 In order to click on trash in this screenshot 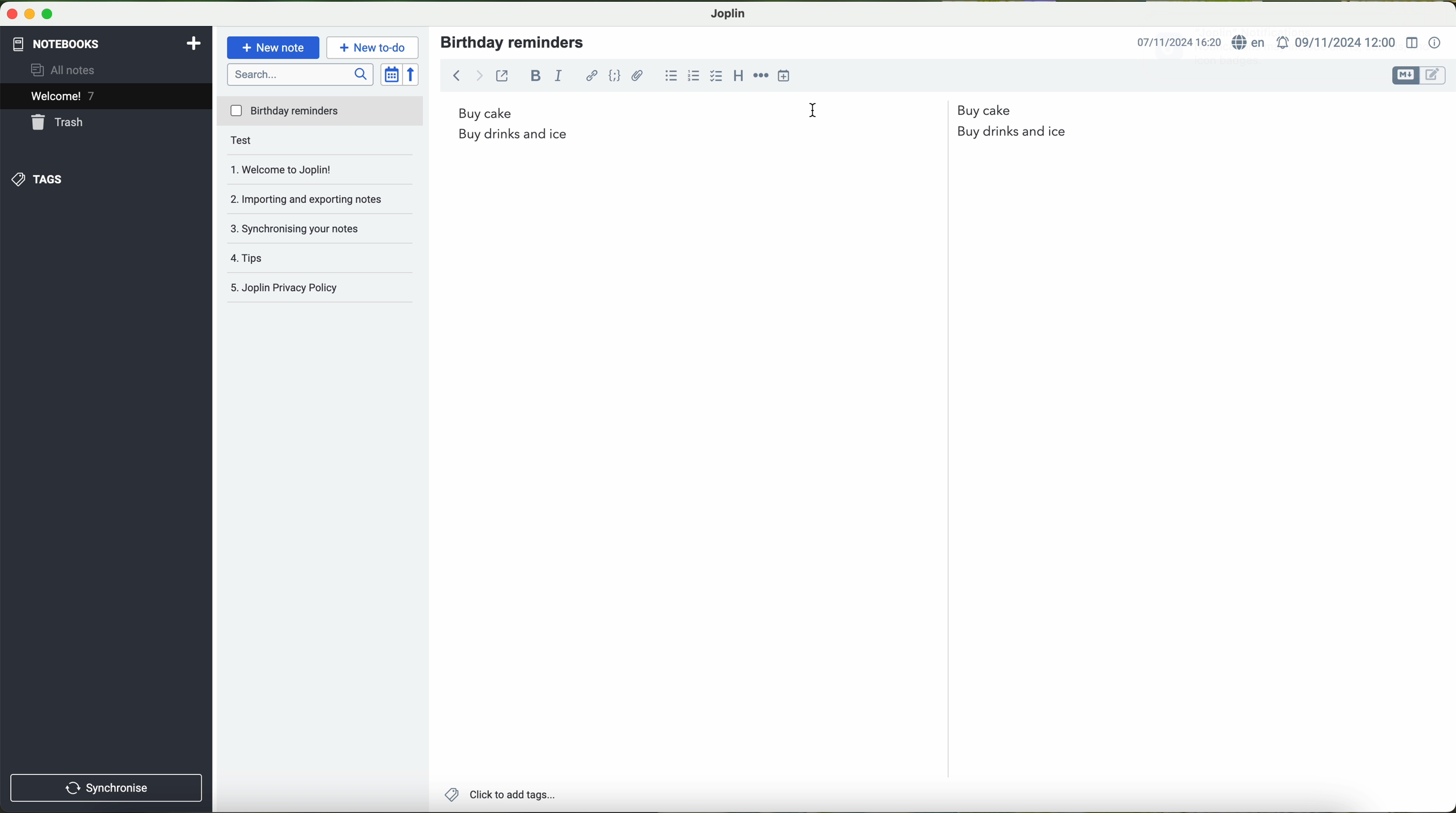, I will do `click(62, 123)`.